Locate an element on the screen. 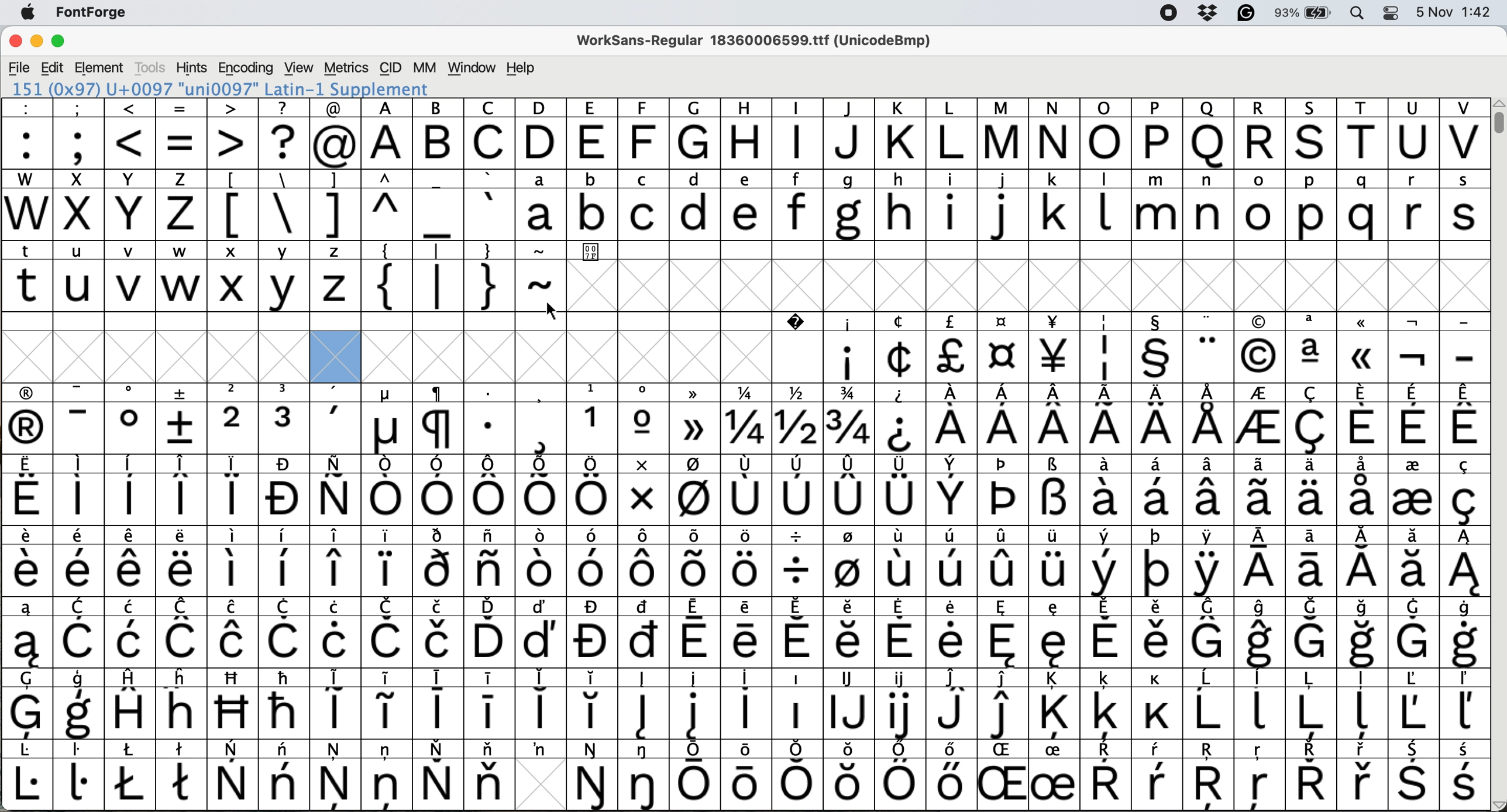  symbol is located at coordinates (694, 421).